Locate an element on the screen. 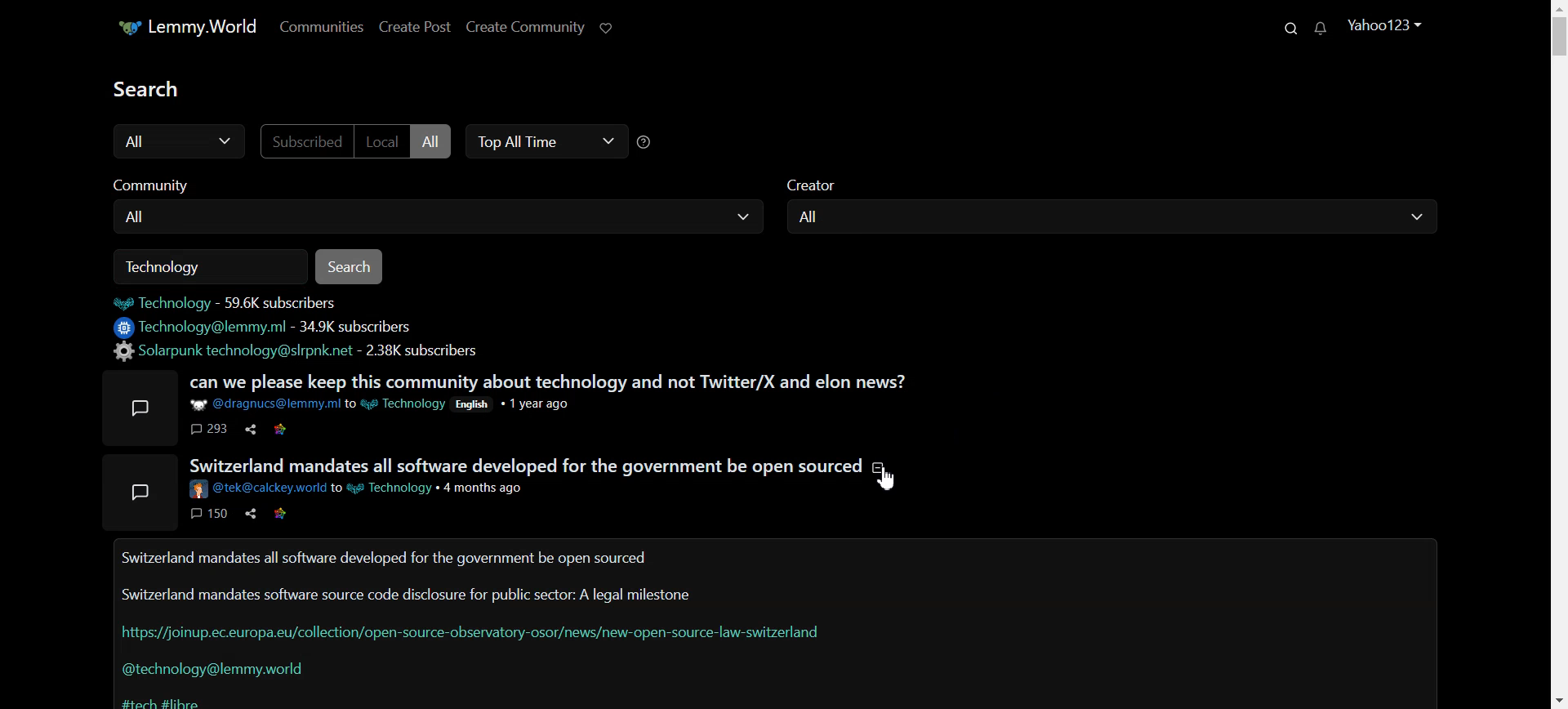  @dragnucs@lemmy.ml to &@ Technology English + 1 year ago is located at coordinates (395, 404).